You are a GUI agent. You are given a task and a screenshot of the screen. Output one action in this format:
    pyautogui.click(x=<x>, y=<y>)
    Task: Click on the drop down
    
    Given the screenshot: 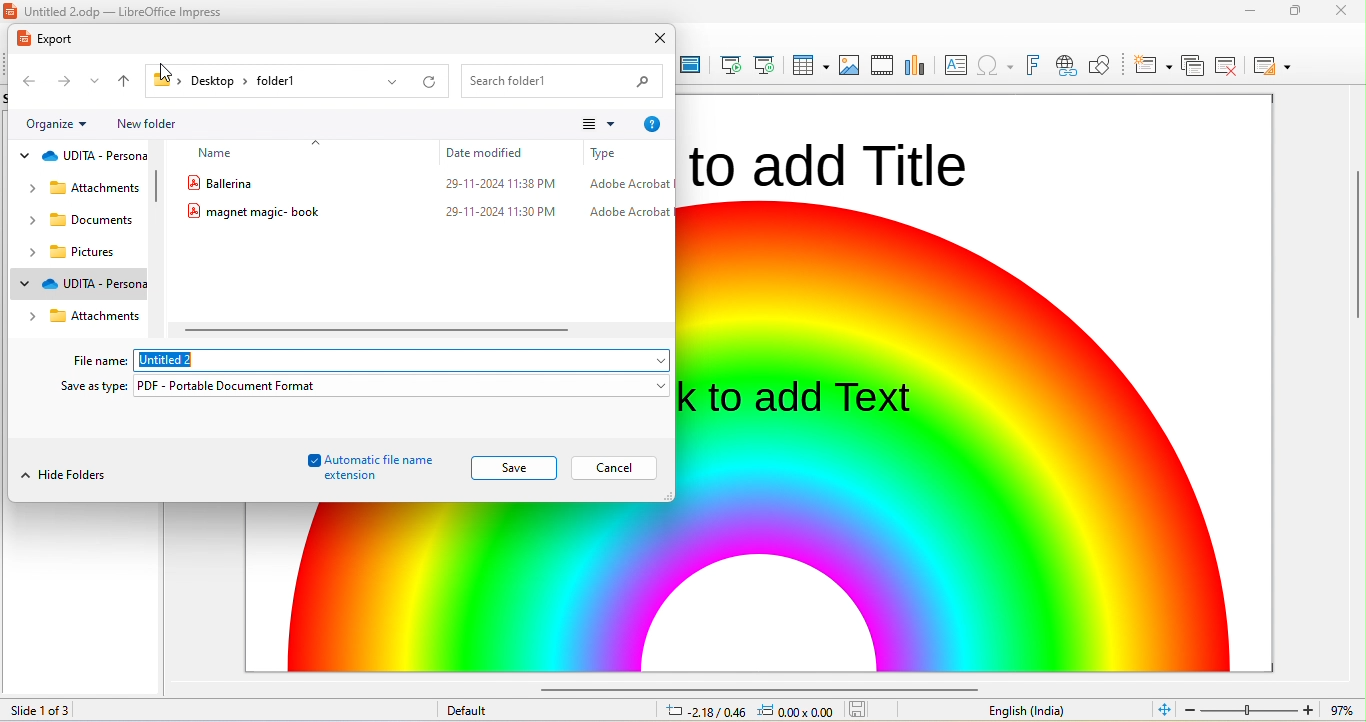 What is the action you would take?
    pyautogui.click(x=656, y=384)
    